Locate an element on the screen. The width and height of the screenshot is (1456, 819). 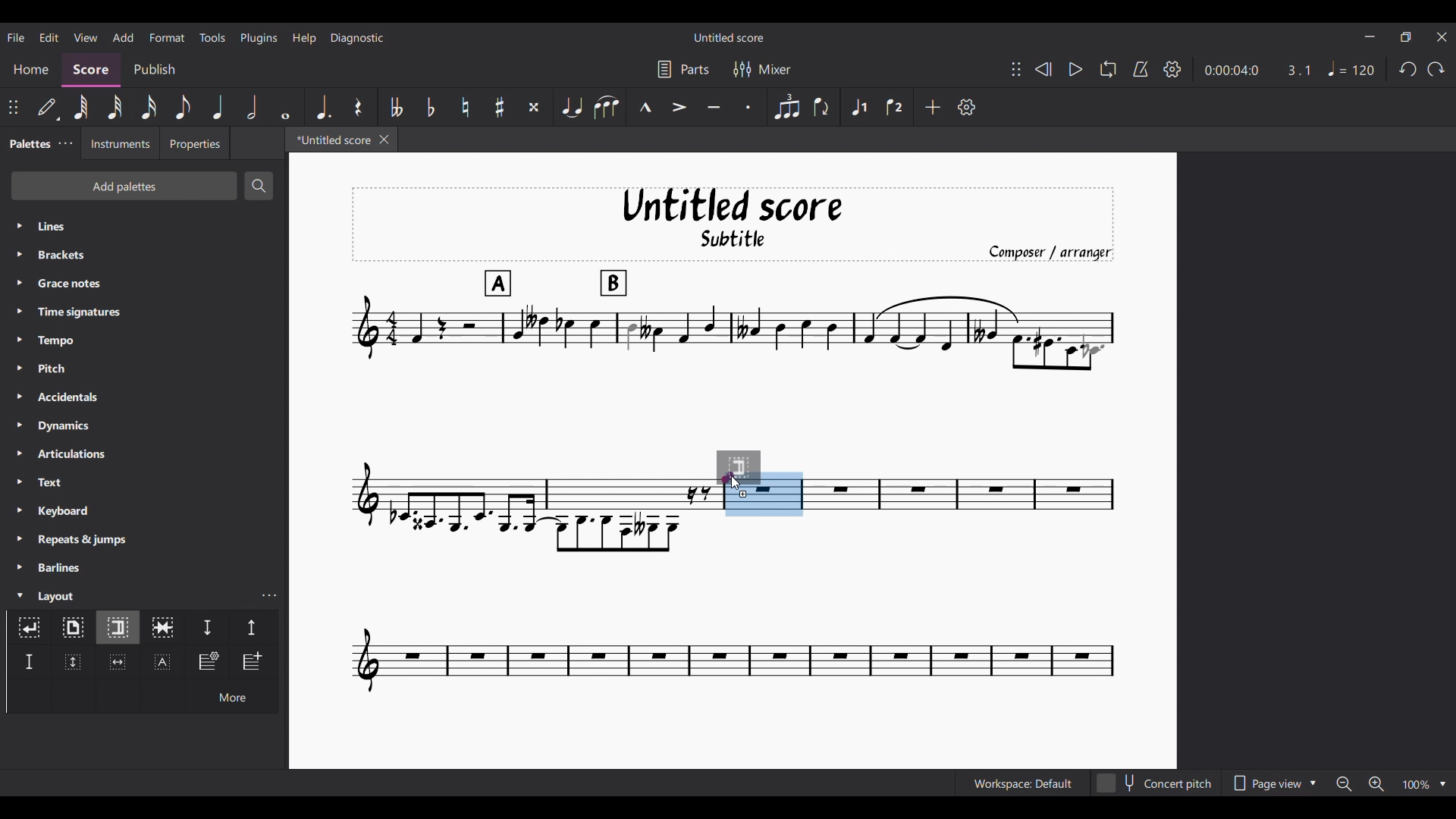
Selected measure highlighted is located at coordinates (744, 507).